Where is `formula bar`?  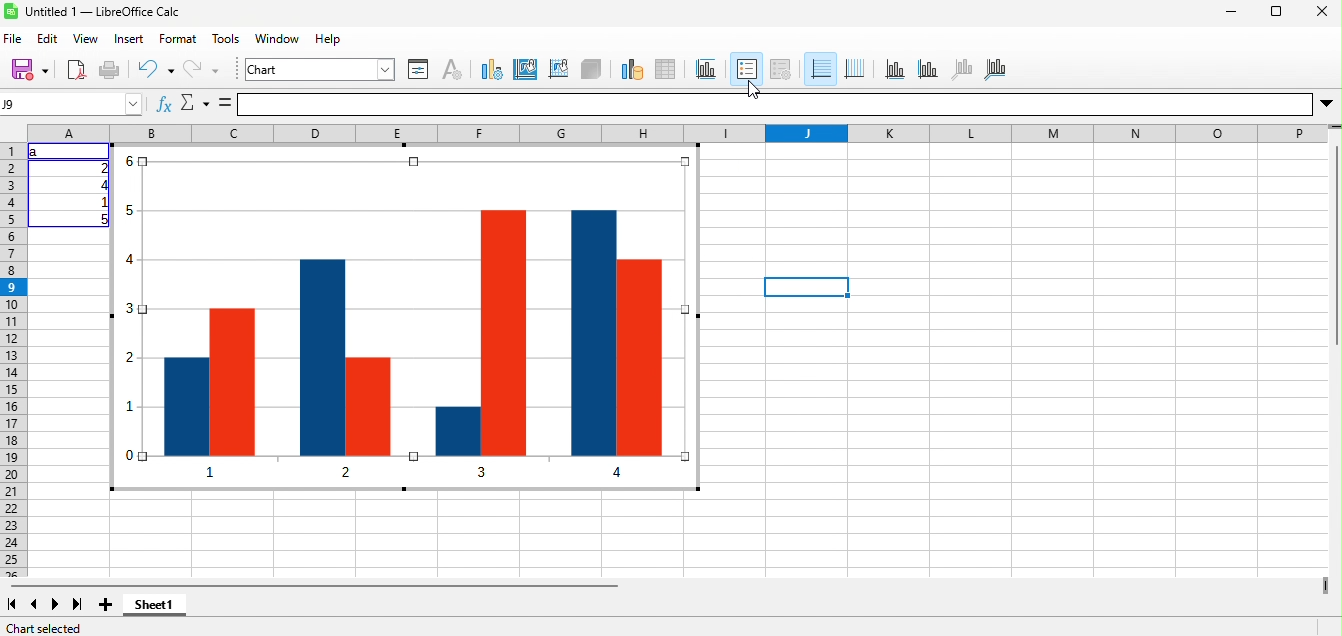 formula bar is located at coordinates (775, 104).